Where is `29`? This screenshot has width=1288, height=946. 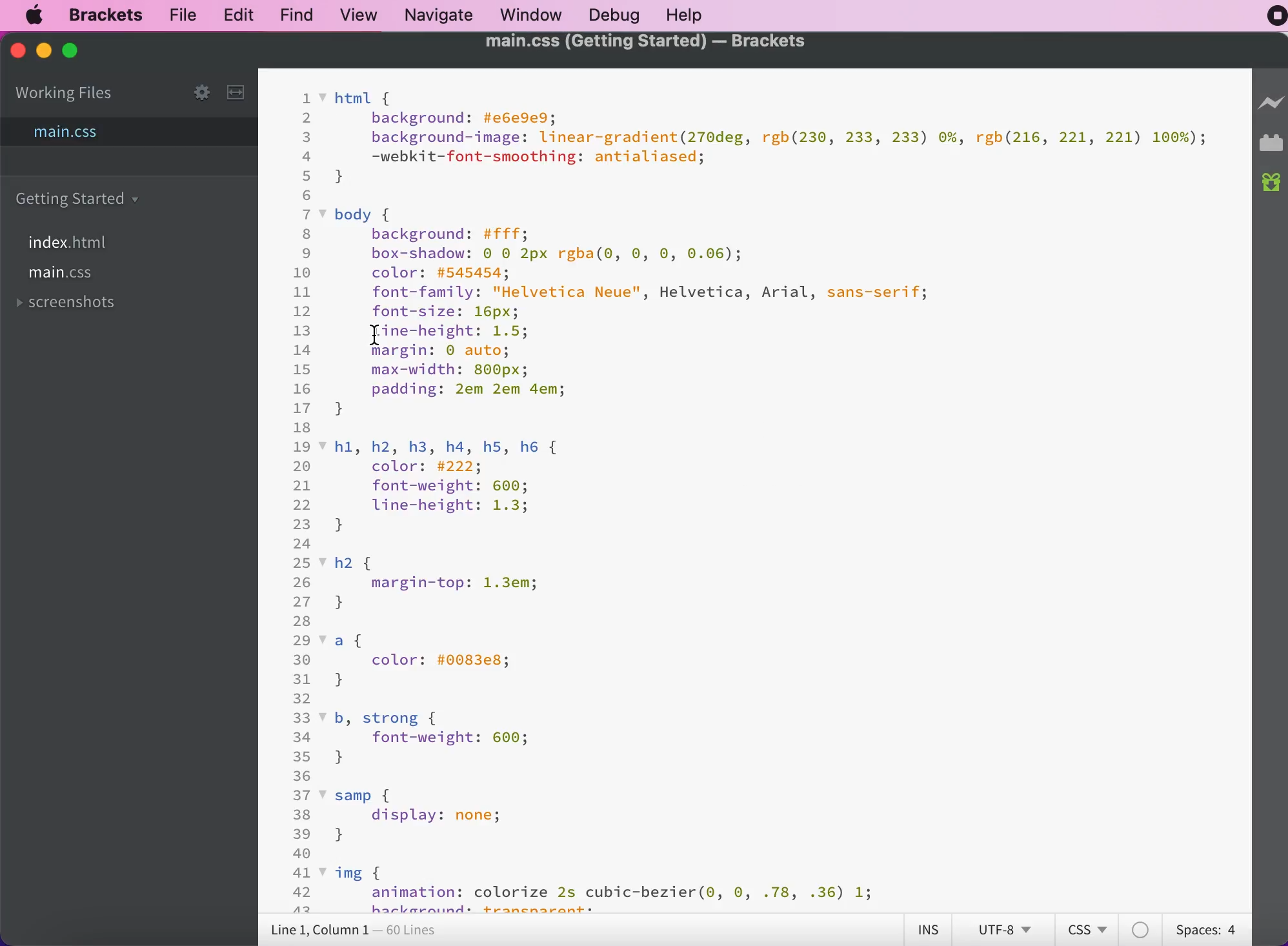 29 is located at coordinates (302, 640).